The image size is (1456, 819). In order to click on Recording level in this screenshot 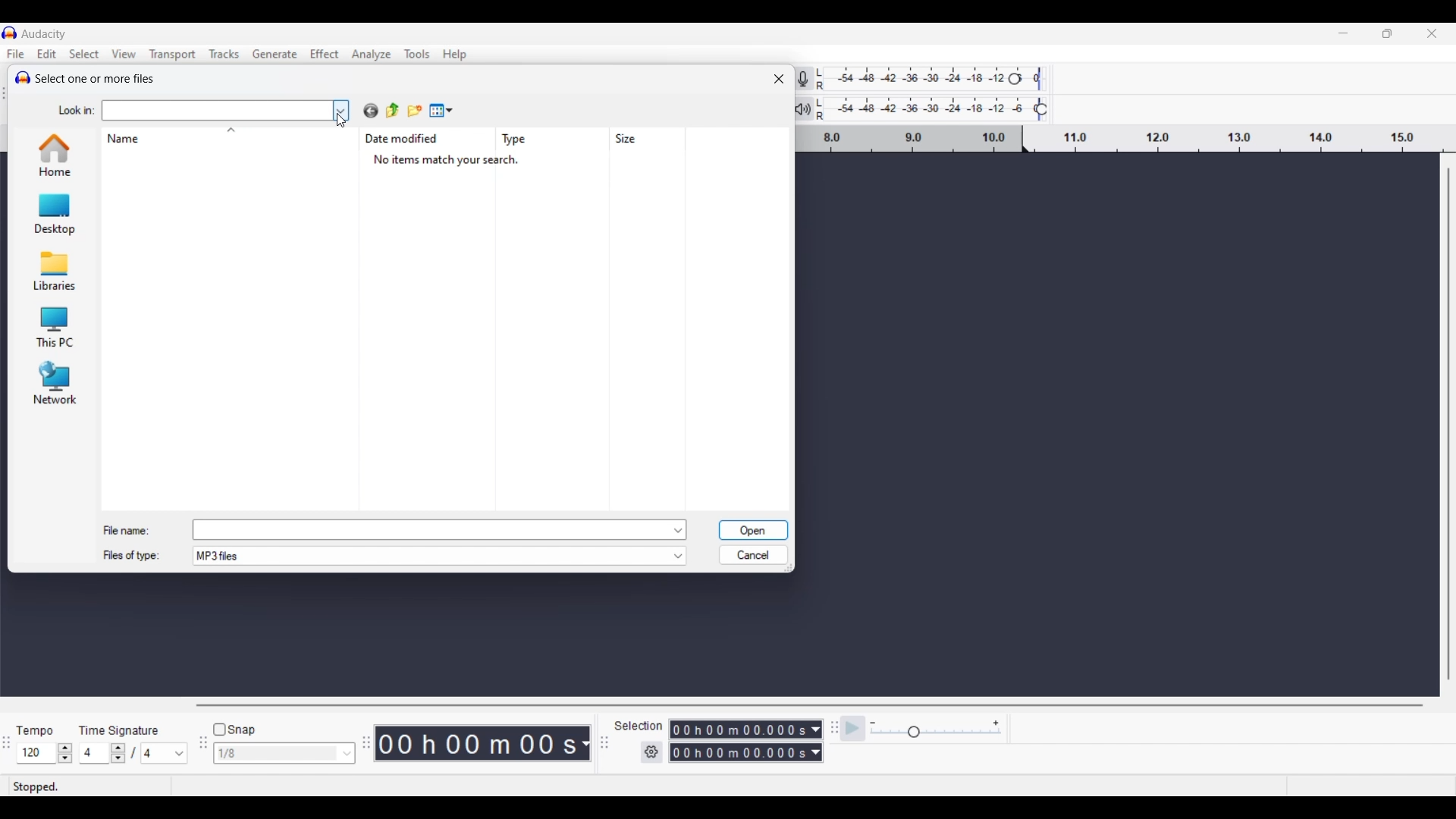, I will do `click(940, 80)`.